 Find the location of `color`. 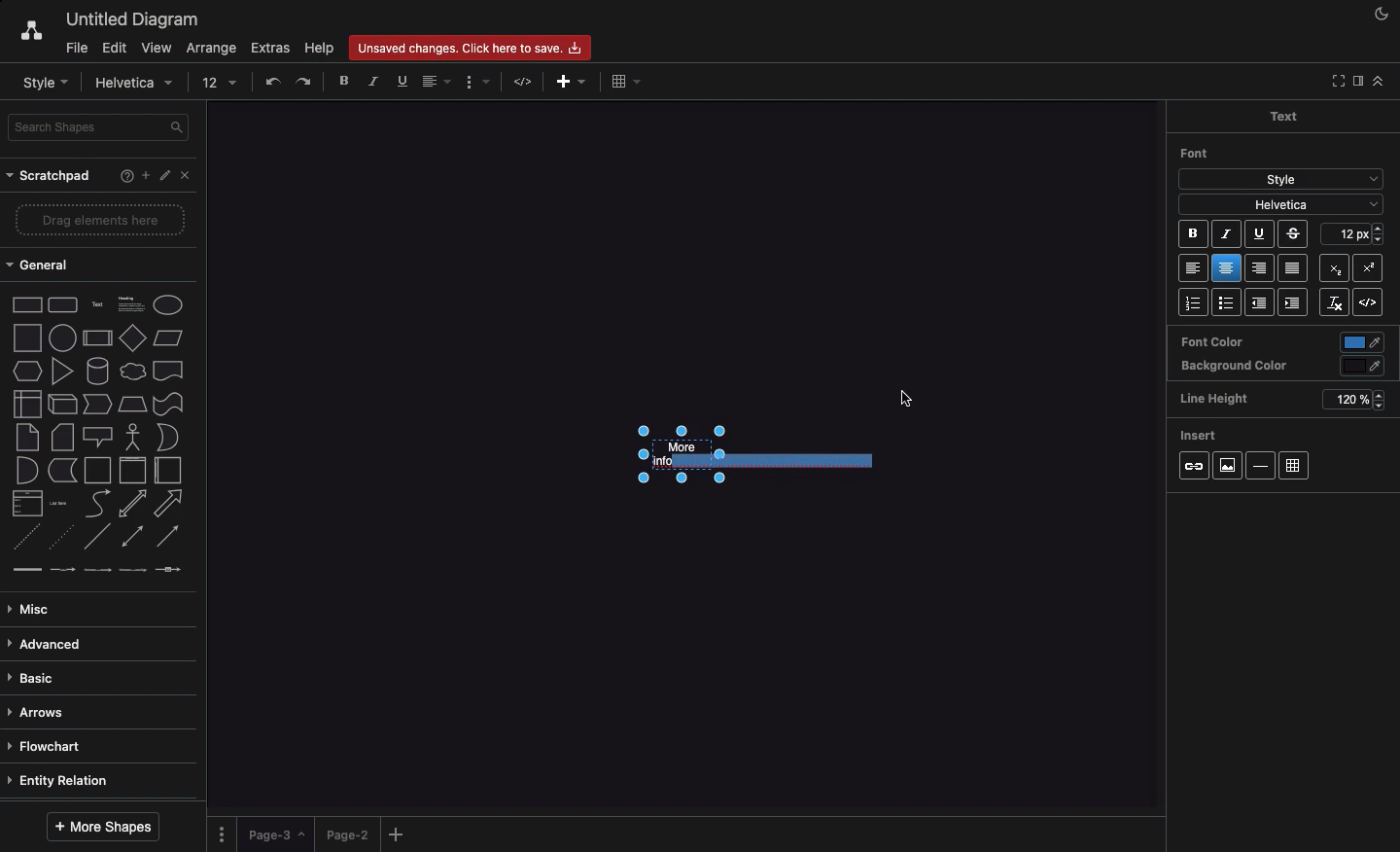

color is located at coordinates (1363, 343).